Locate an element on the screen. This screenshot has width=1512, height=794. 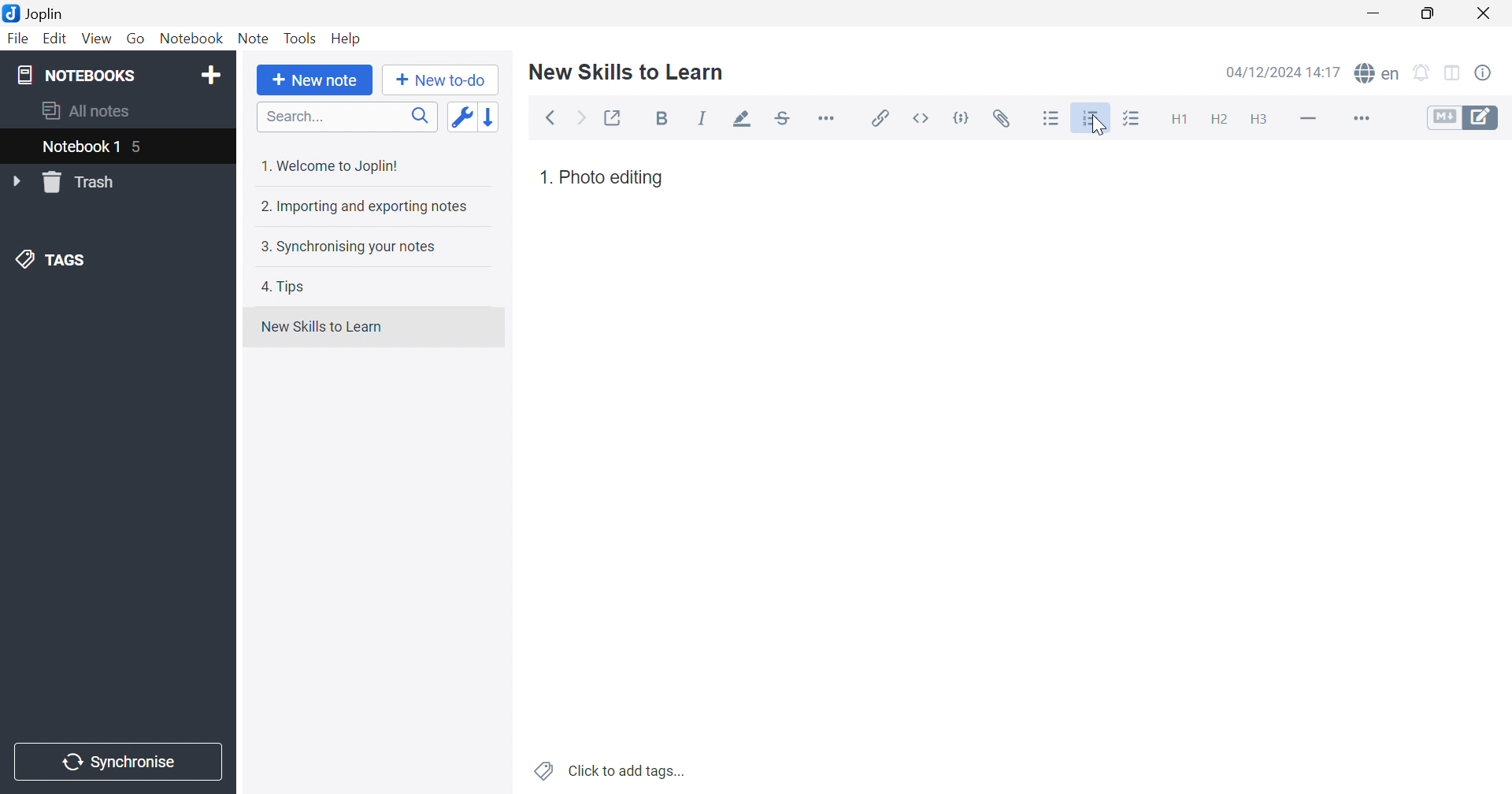
Bullet list is located at coordinates (1051, 119).